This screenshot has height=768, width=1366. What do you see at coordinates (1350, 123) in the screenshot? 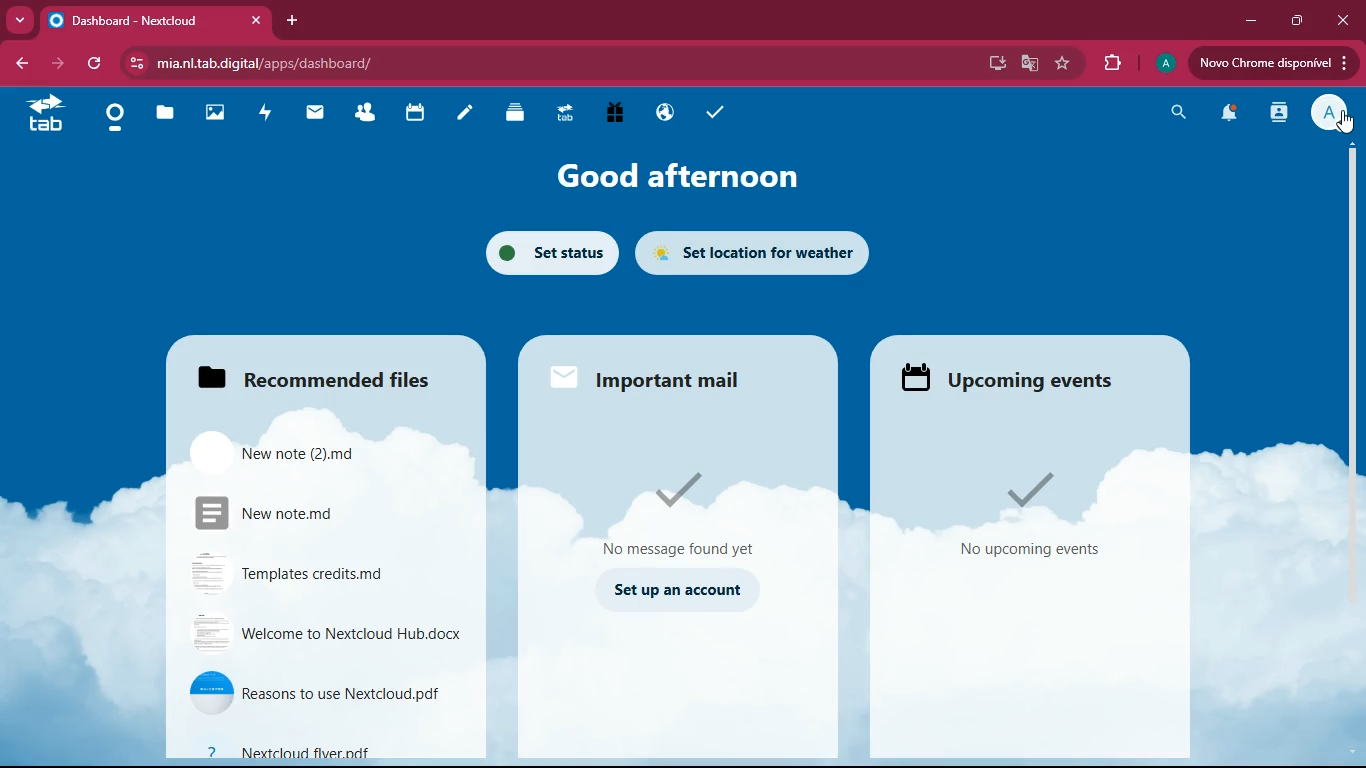
I see `cursor` at bounding box center [1350, 123].